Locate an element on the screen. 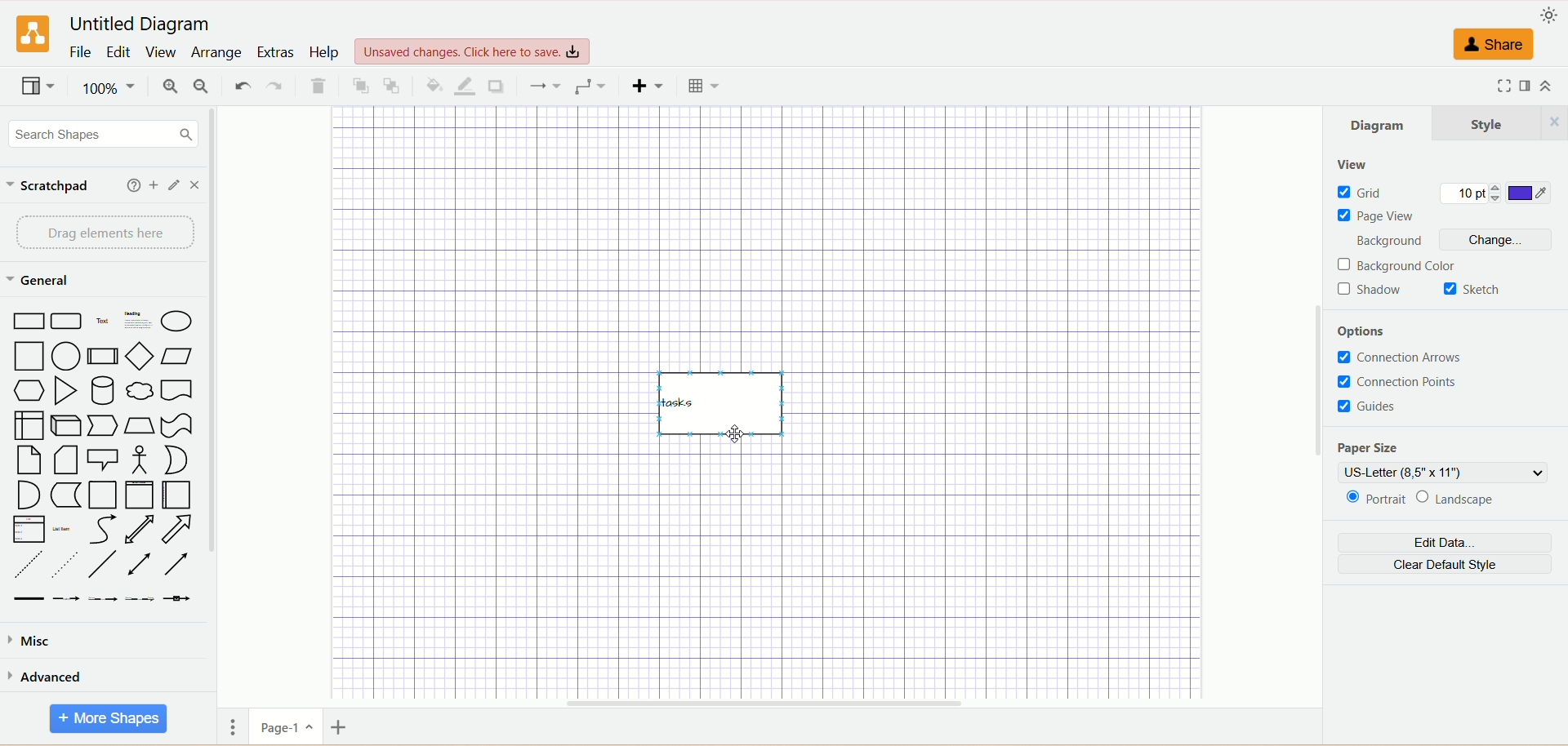 Image resolution: width=1568 pixels, height=746 pixels. portrait is located at coordinates (1378, 500).